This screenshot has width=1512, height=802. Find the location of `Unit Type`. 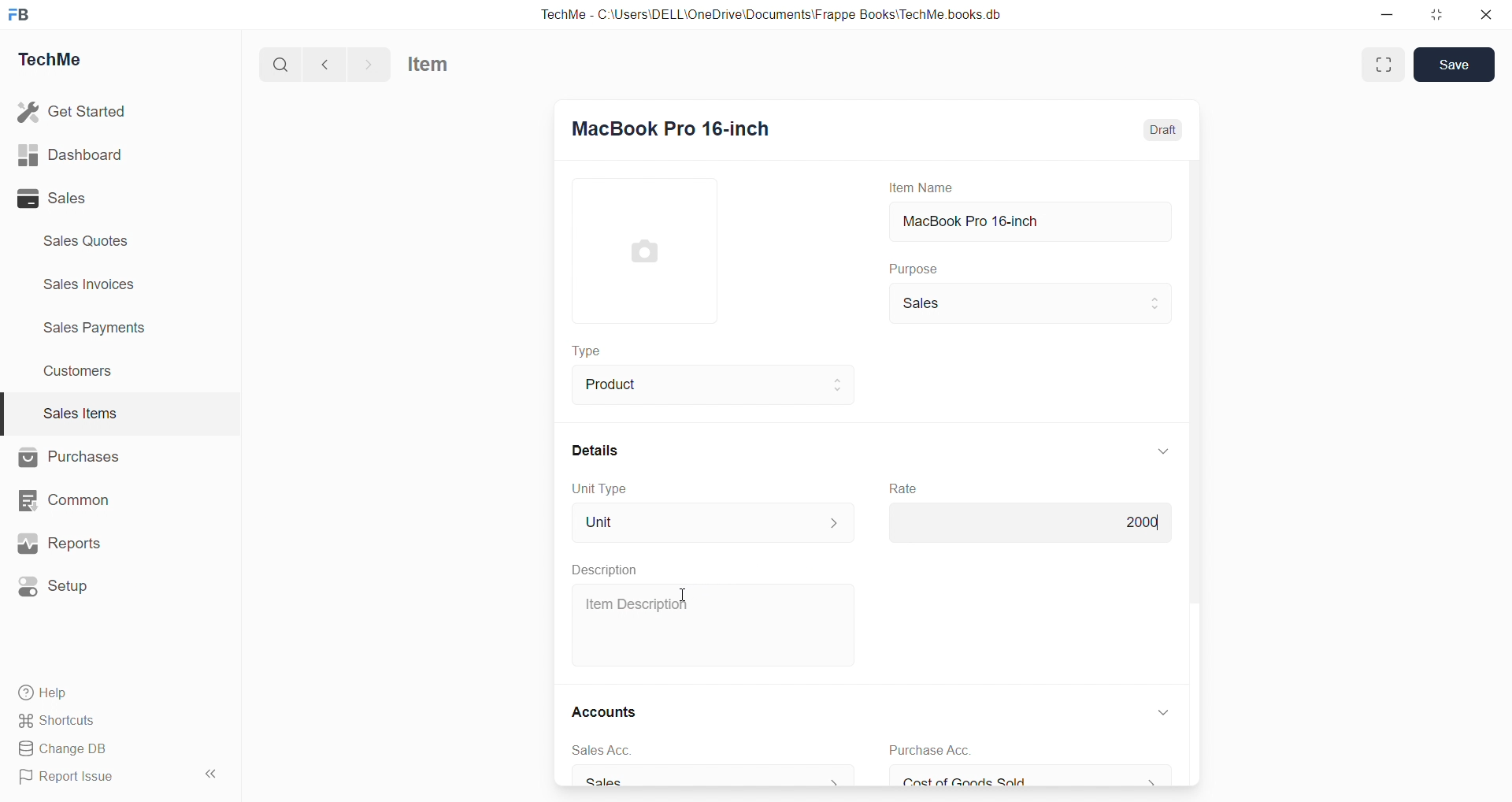

Unit Type is located at coordinates (600, 490).